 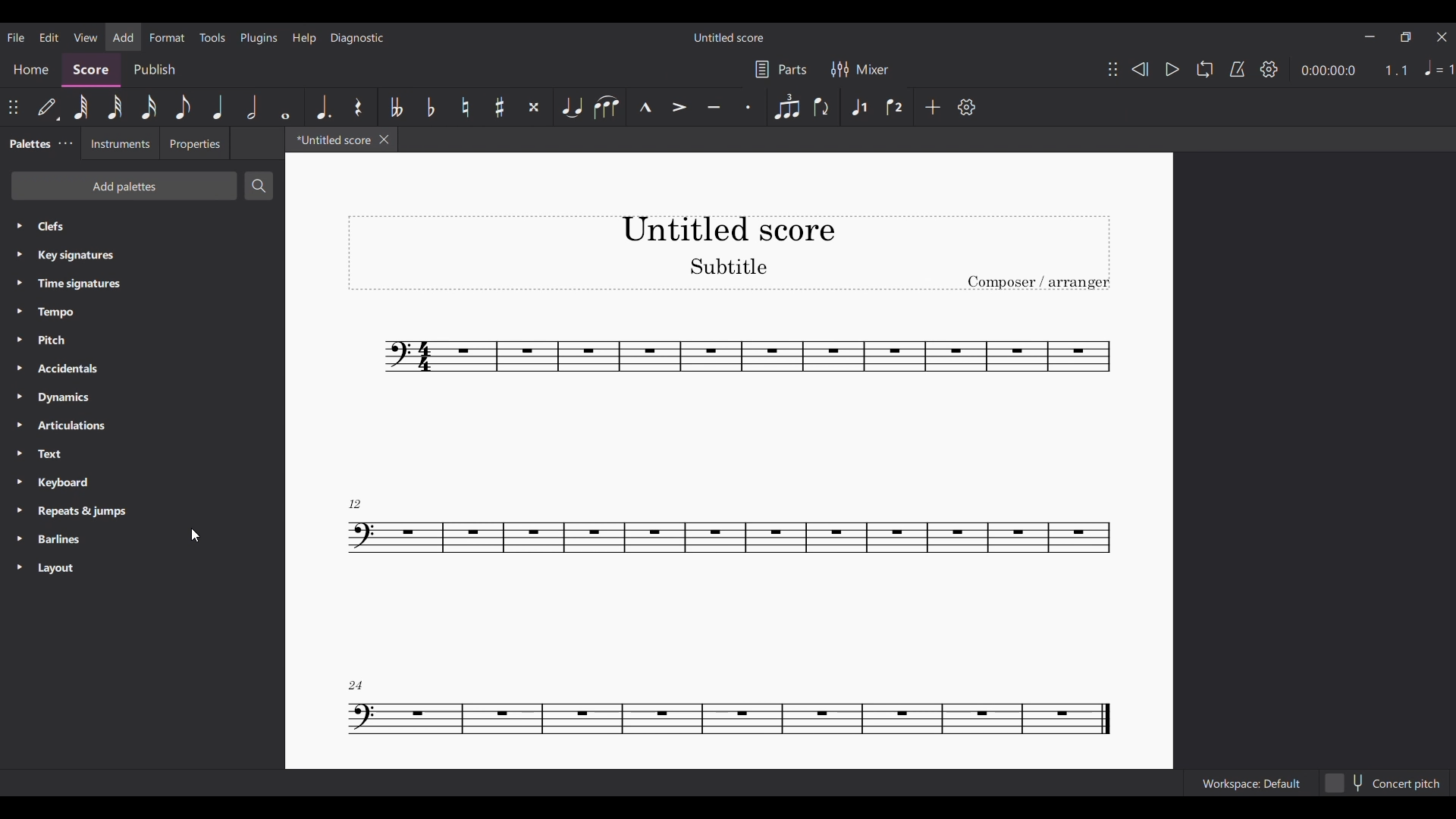 I want to click on search, so click(x=256, y=186).